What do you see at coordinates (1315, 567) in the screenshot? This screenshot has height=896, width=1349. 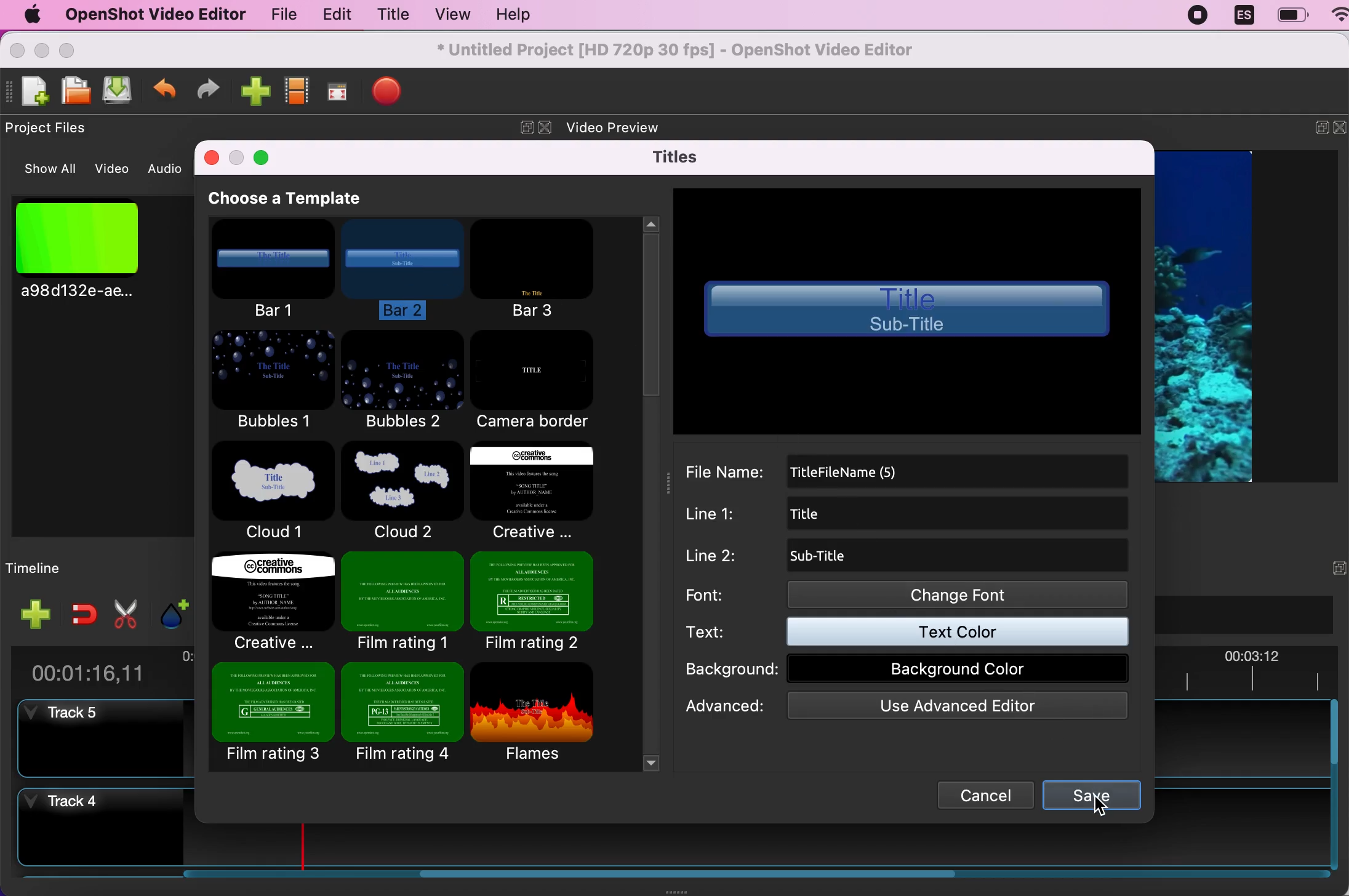 I see `hide/expand` at bounding box center [1315, 567].